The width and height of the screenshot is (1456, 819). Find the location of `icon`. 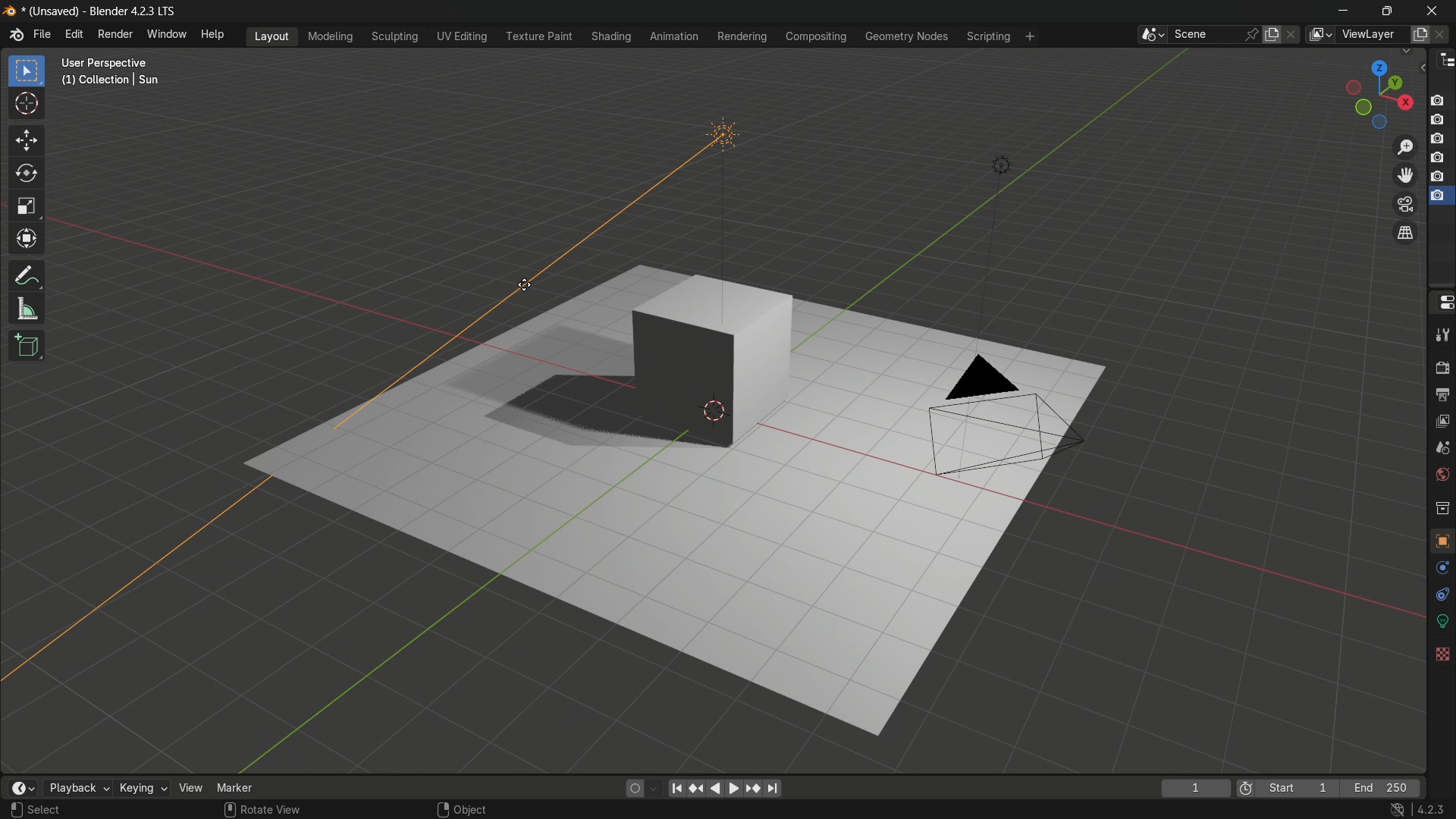

icon is located at coordinates (1244, 786).